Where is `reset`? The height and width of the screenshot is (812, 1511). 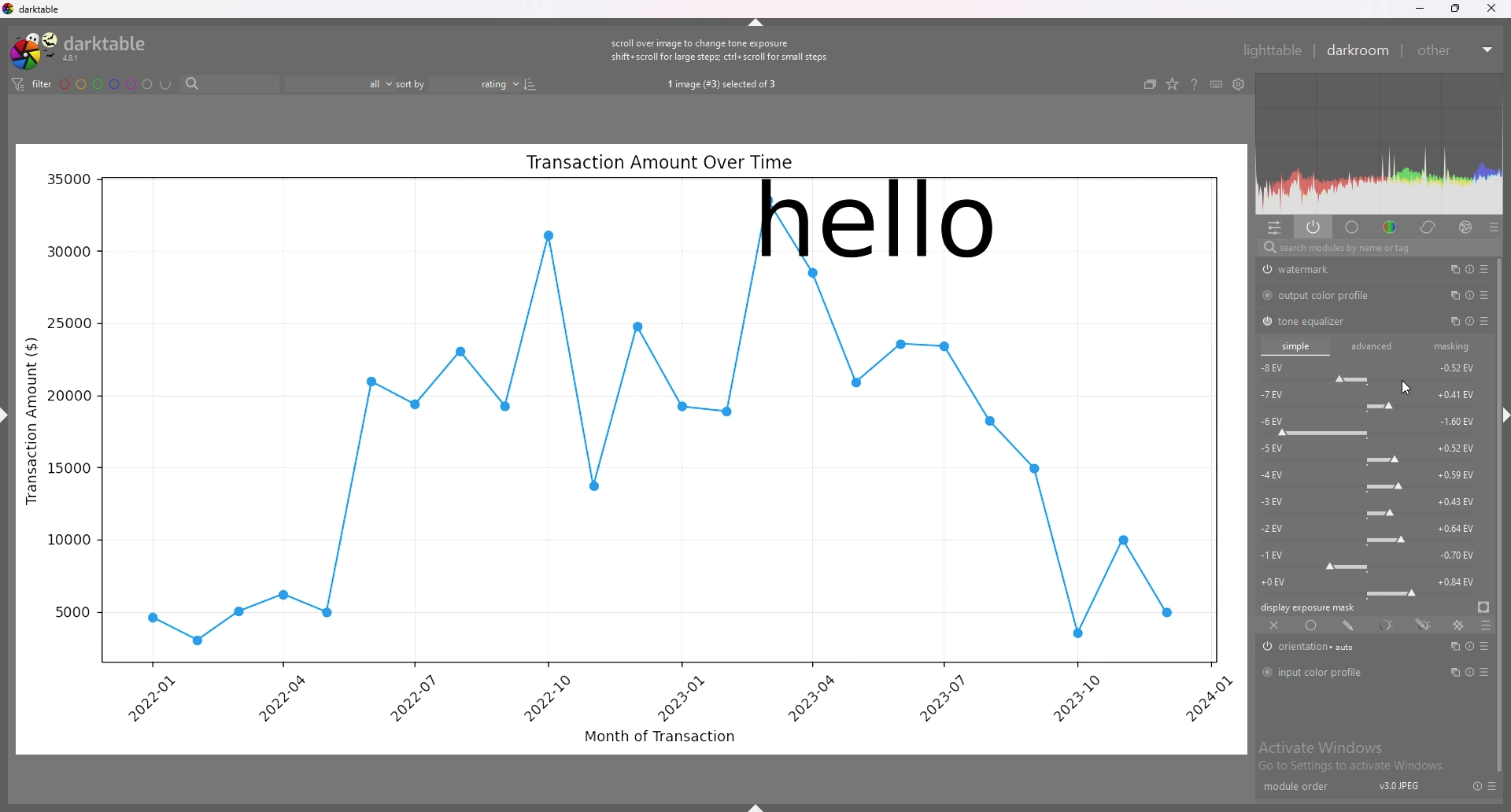
reset is located at coordinates (1474, 786).